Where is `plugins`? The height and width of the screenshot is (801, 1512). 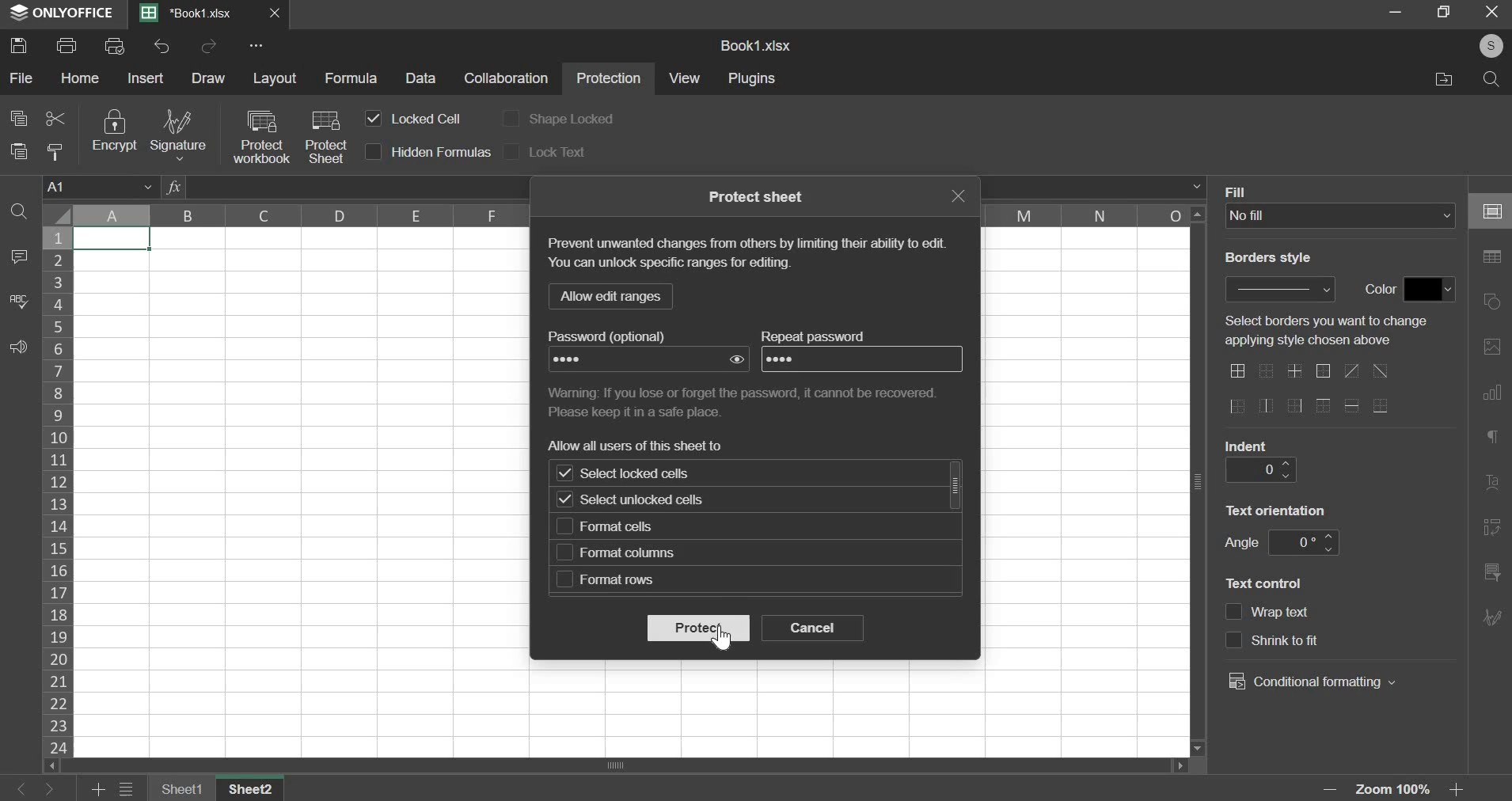
plugins is located at coordinates (754, 79).